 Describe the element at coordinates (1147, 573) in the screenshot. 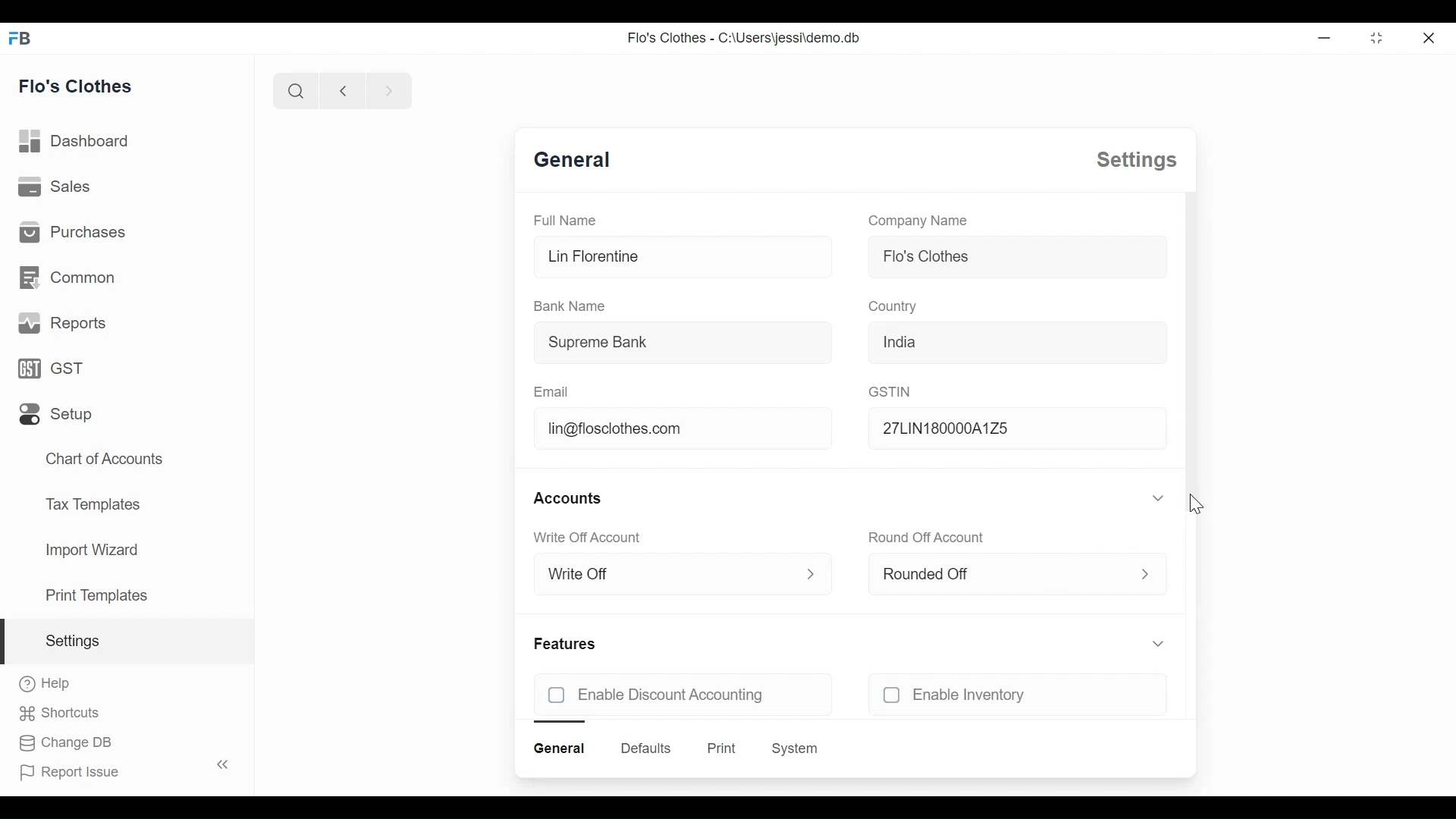

I see `Expand` at that location.